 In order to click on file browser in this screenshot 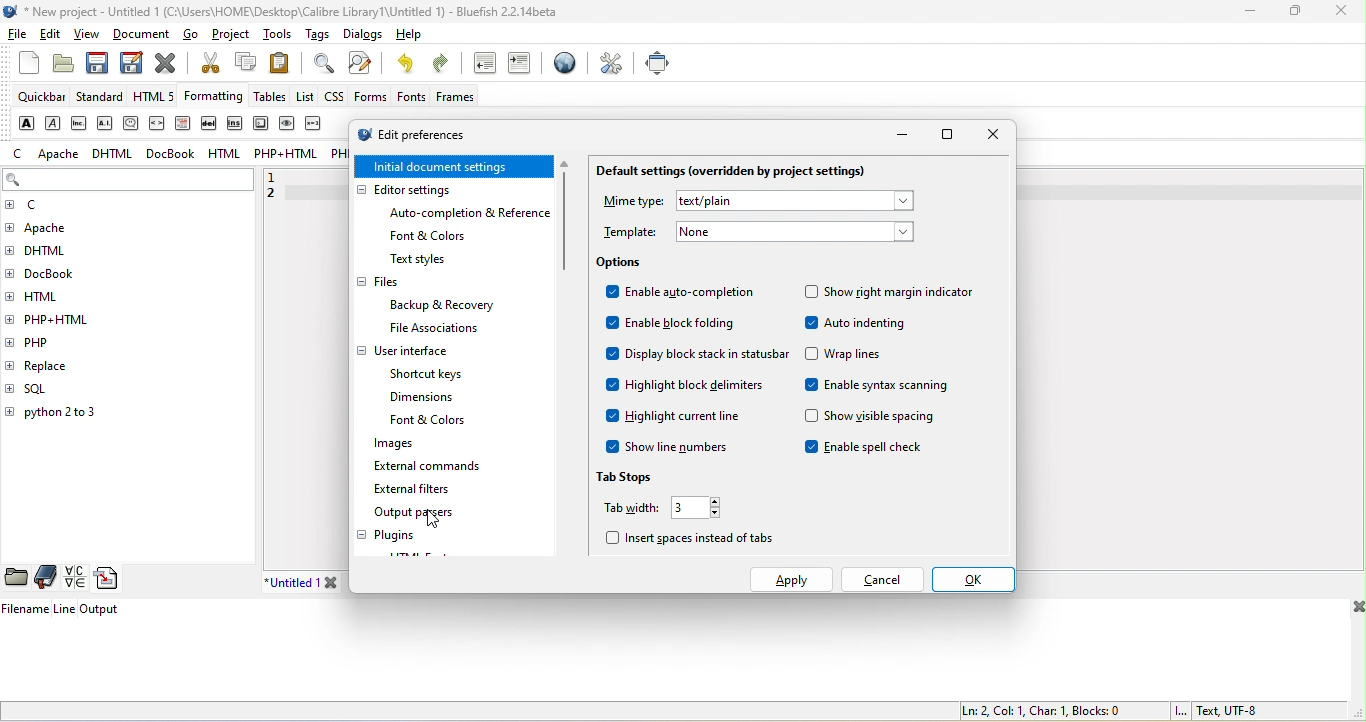, I will do `click(17, 578)`.